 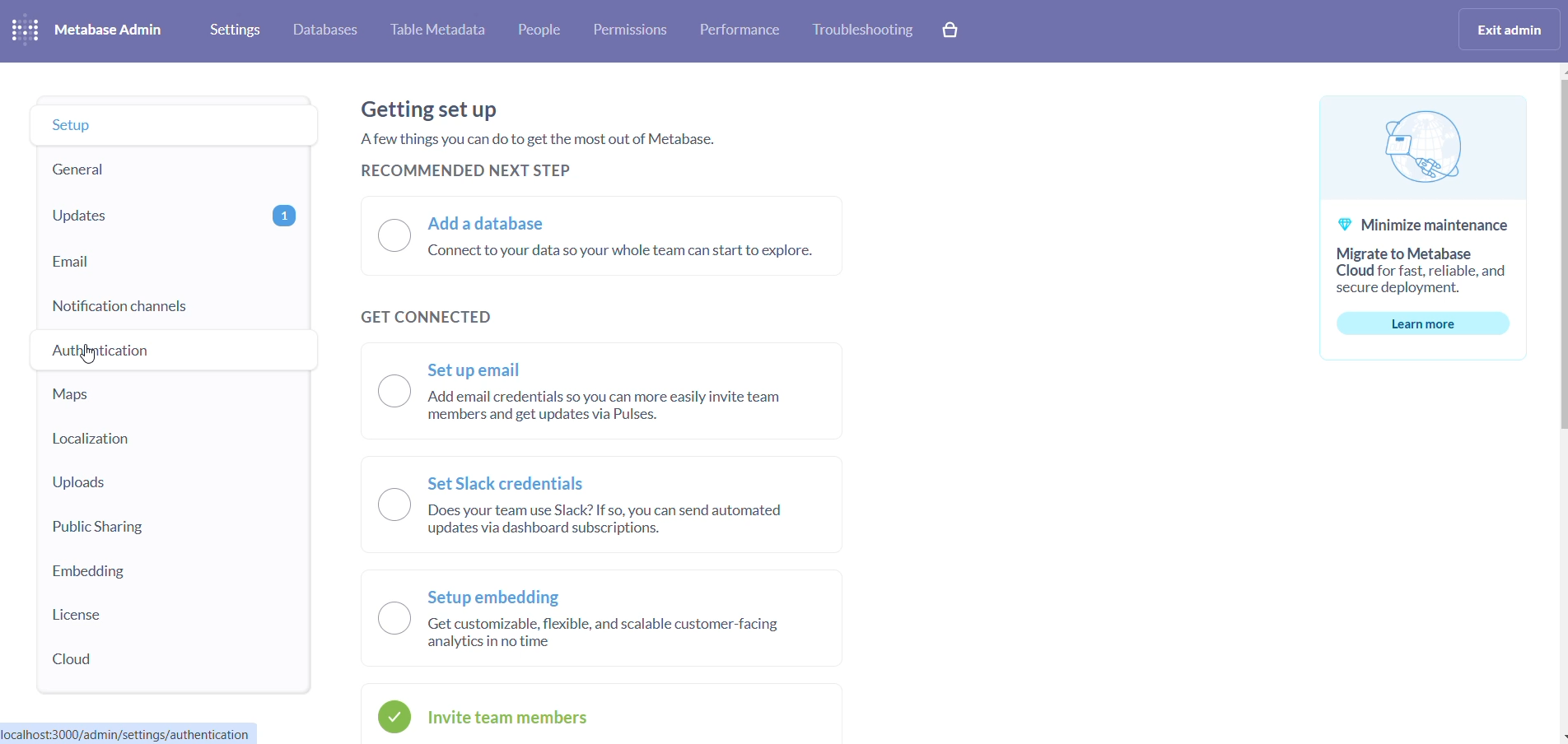 What do you see at coordinates (175, 303) in the screenshot?
I see `notification channel` at bounding box center [175, 303].